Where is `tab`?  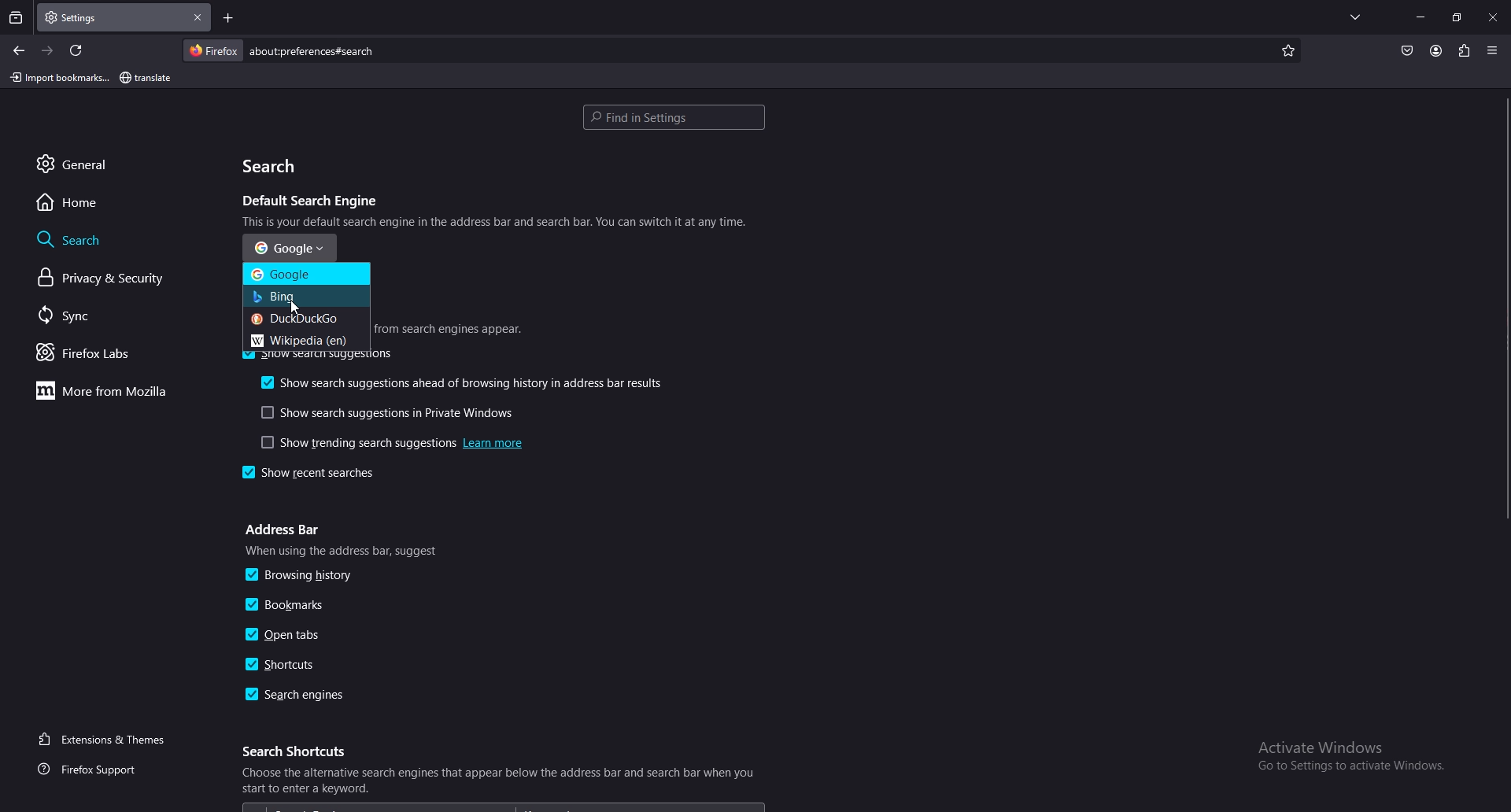 tab is located at coordinates (104, 18).